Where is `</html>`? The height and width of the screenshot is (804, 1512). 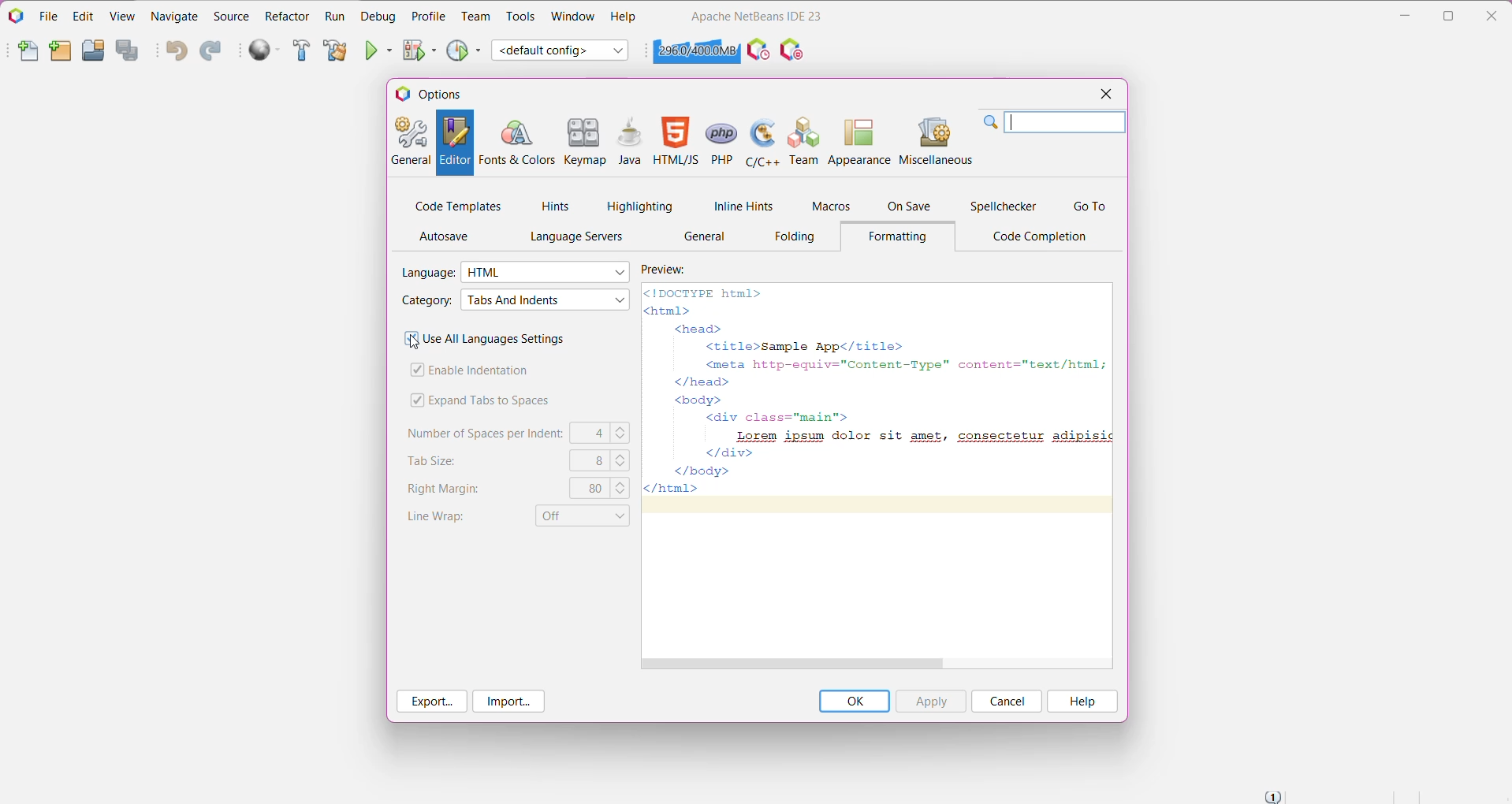
</html> is located at coordinates (672, 489).